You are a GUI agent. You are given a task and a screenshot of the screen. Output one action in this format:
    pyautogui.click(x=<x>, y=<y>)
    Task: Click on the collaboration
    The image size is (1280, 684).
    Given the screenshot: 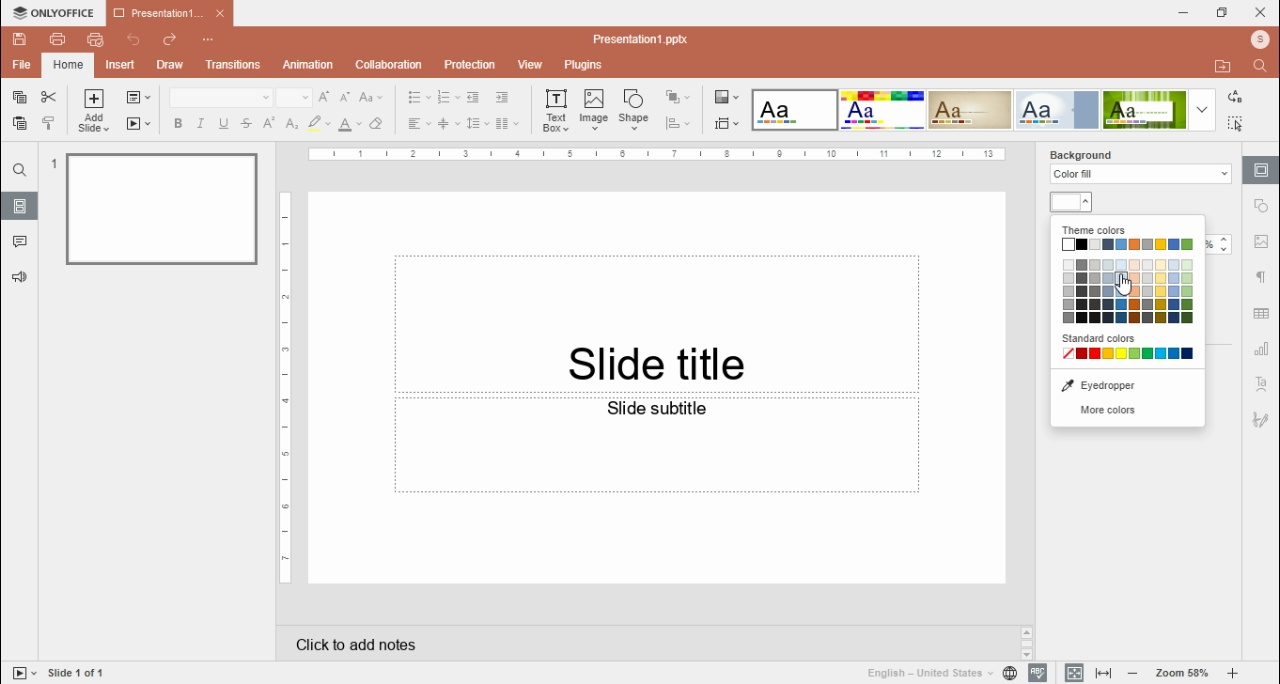 What is the action you would take?
    pyautogui.click(x=389, y=64)
    